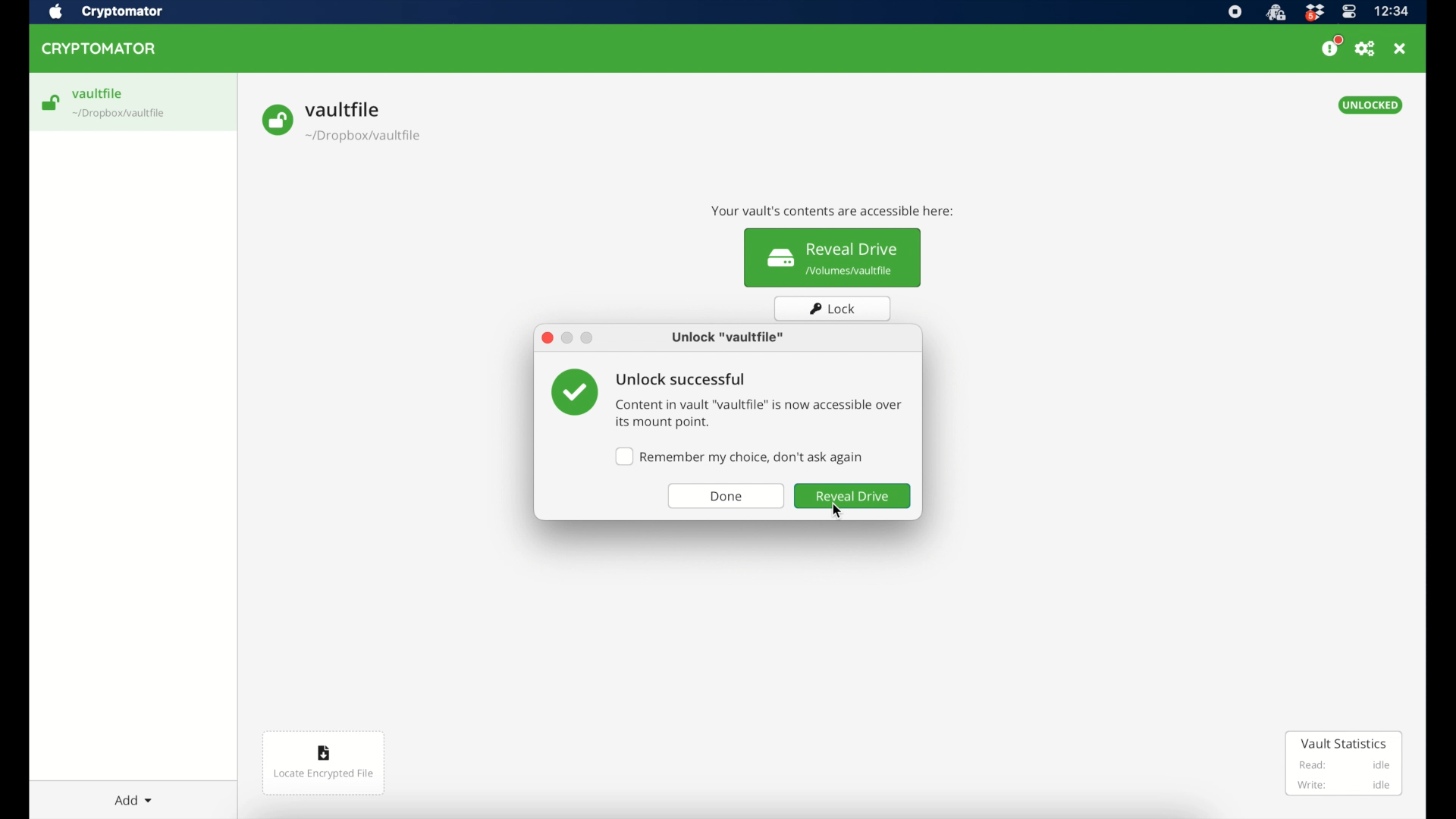 The height and width of the screenshot is (819, 1456). What do you see at coordinates (55, 11) in the screenshot?
I see `apple icon` at bounding box center [55, 11].